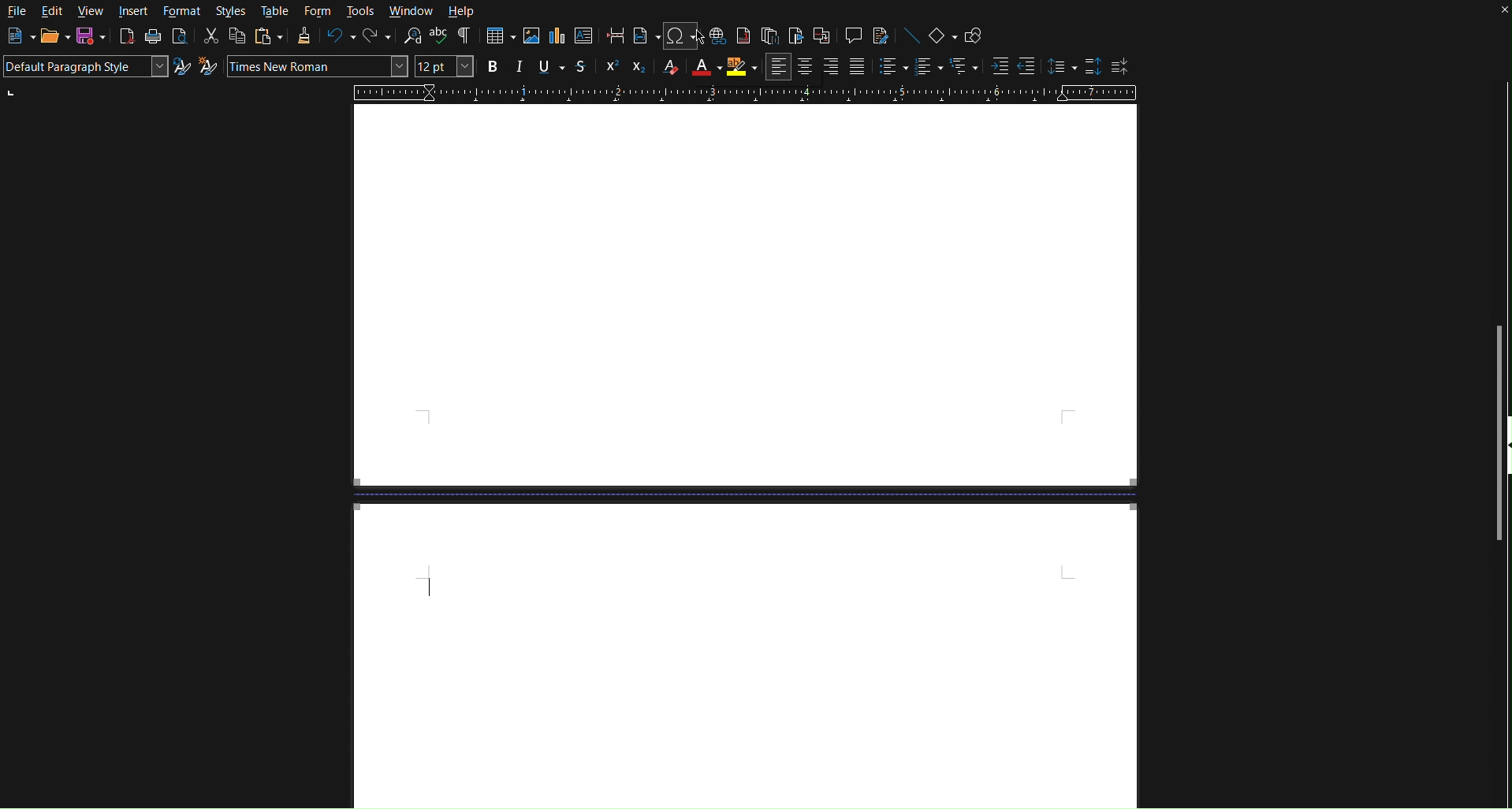 Image resolution: width=1512 pixels, height=809 pixels. Describe the element at coordinates (340, 38) in the screenshot. I see `Undo` at that location.